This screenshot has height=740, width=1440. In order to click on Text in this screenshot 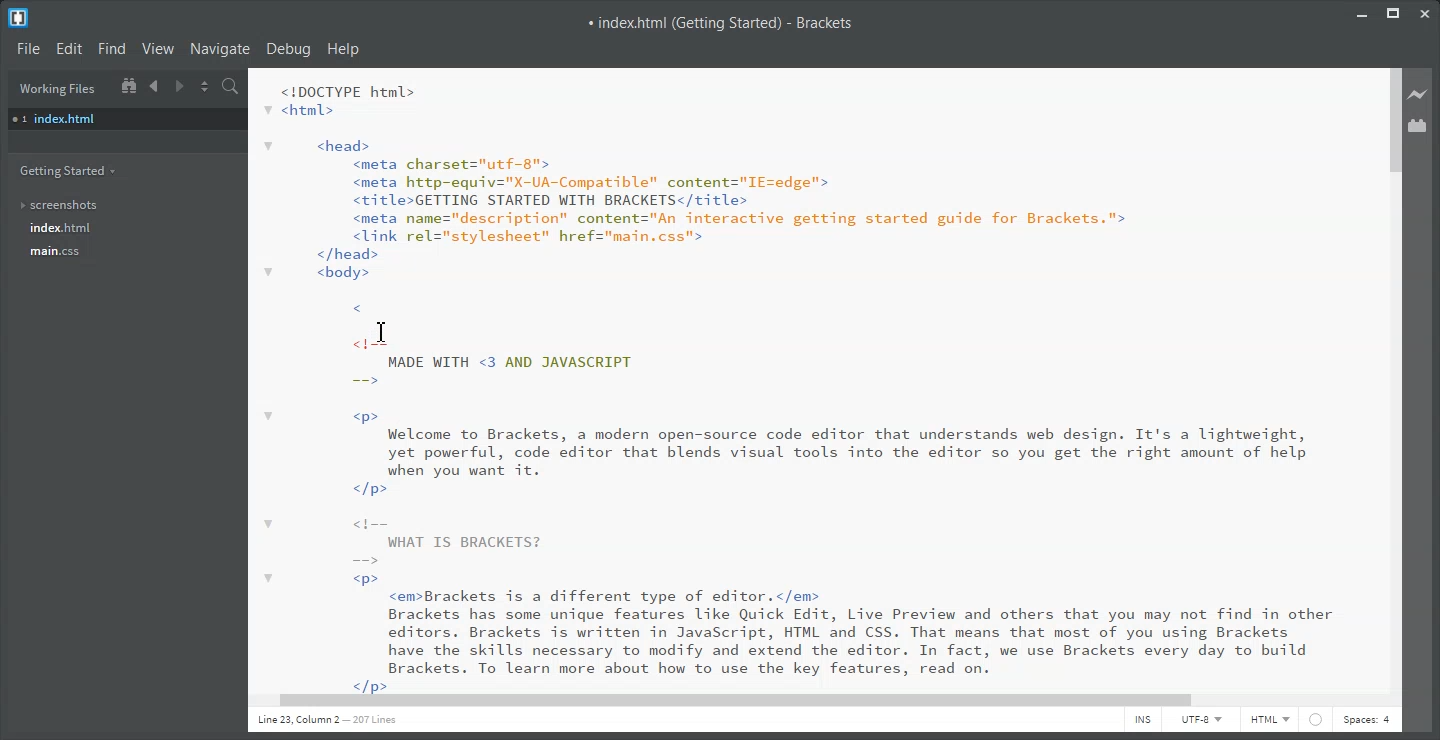, I will do `click(327, 720)`.